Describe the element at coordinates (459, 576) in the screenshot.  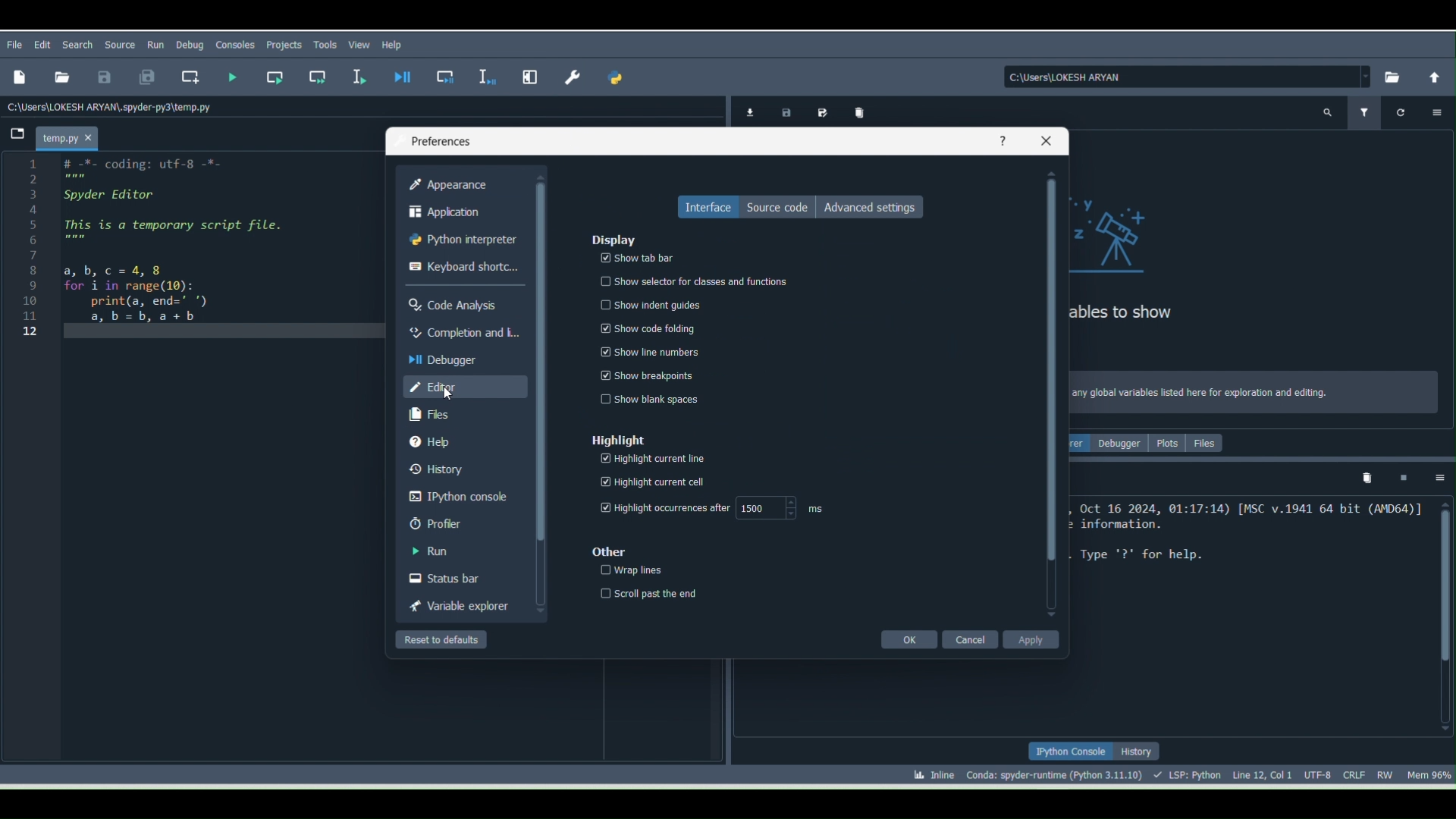
I see `Status bar` at that location.